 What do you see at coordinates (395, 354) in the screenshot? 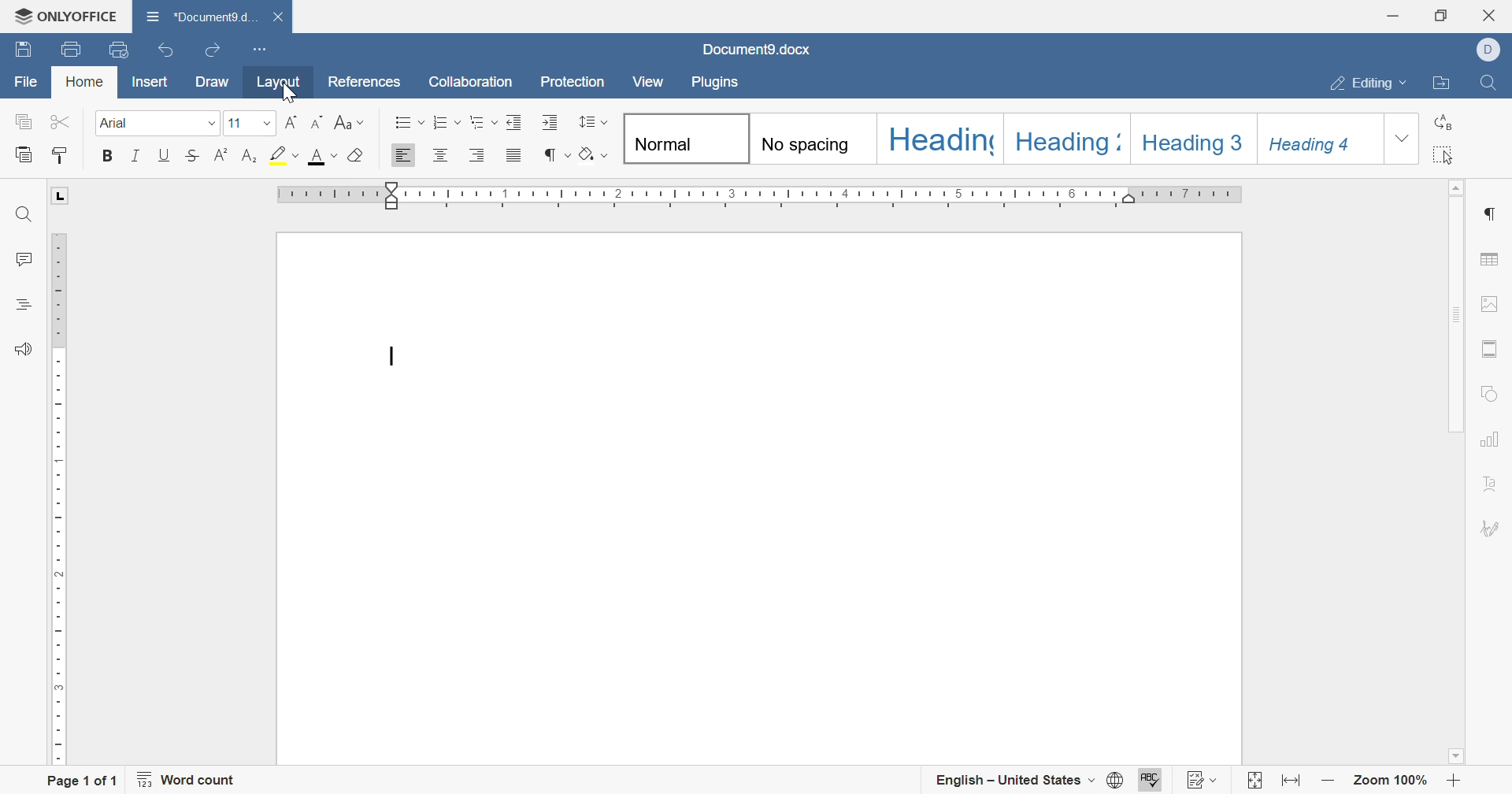
I see `cursor` at bounding box center [395, 354].